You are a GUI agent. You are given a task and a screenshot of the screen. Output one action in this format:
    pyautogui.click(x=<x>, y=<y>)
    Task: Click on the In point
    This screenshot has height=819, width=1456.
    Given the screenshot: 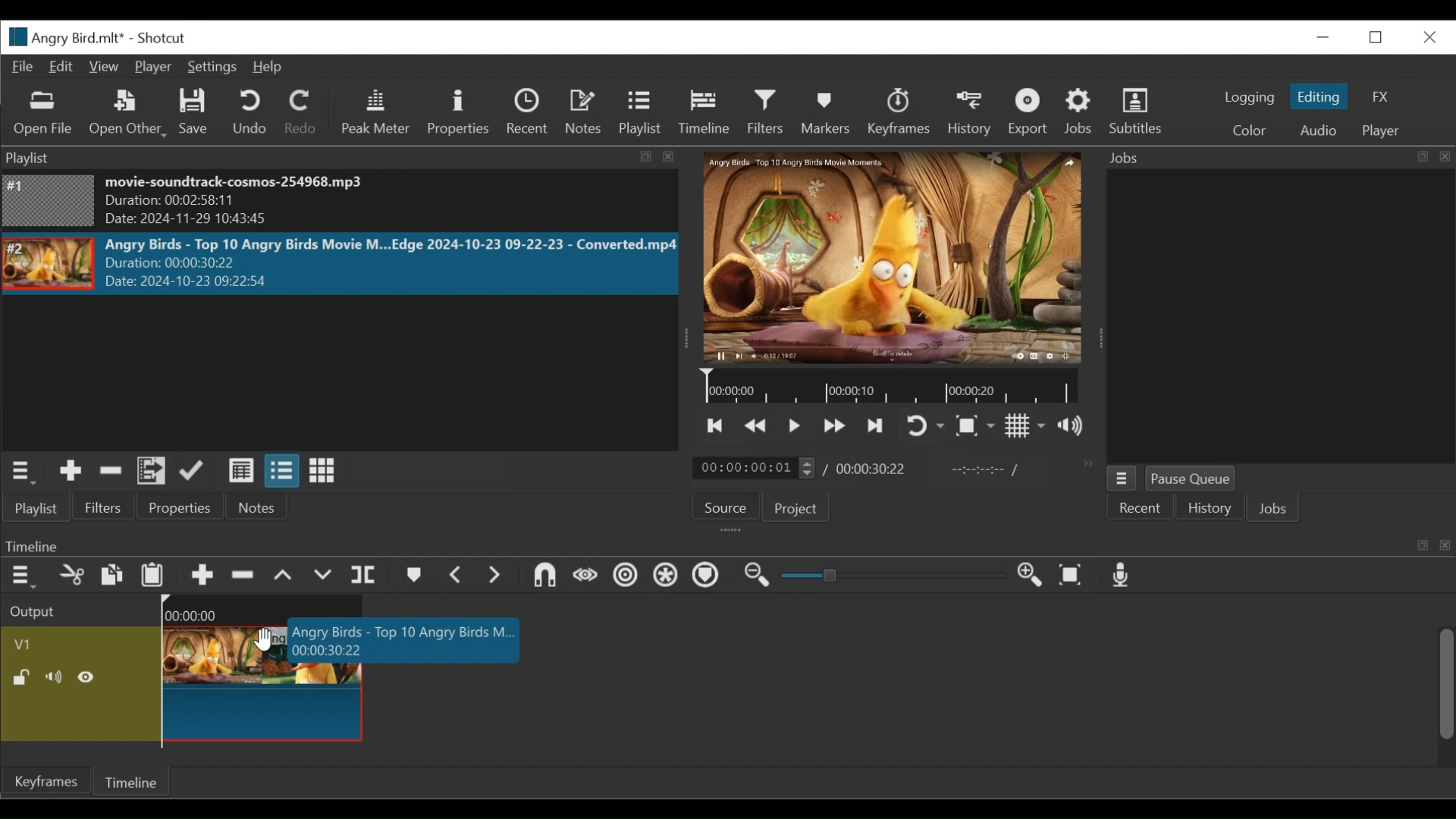 What is the action you would take?
    pyautogui.click(x=981, y=469)
    